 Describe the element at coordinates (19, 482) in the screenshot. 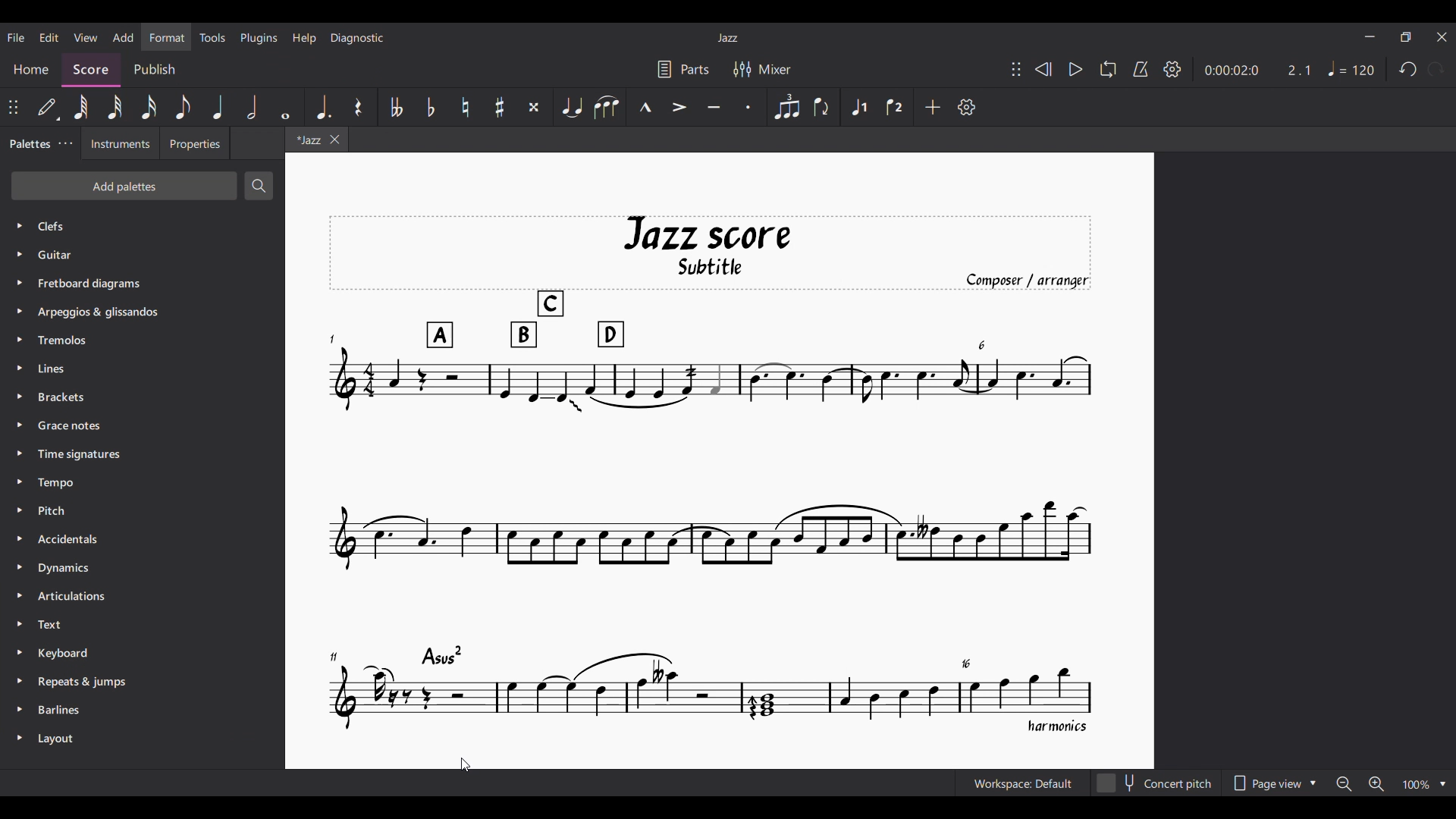

I see `Expand` at that location.